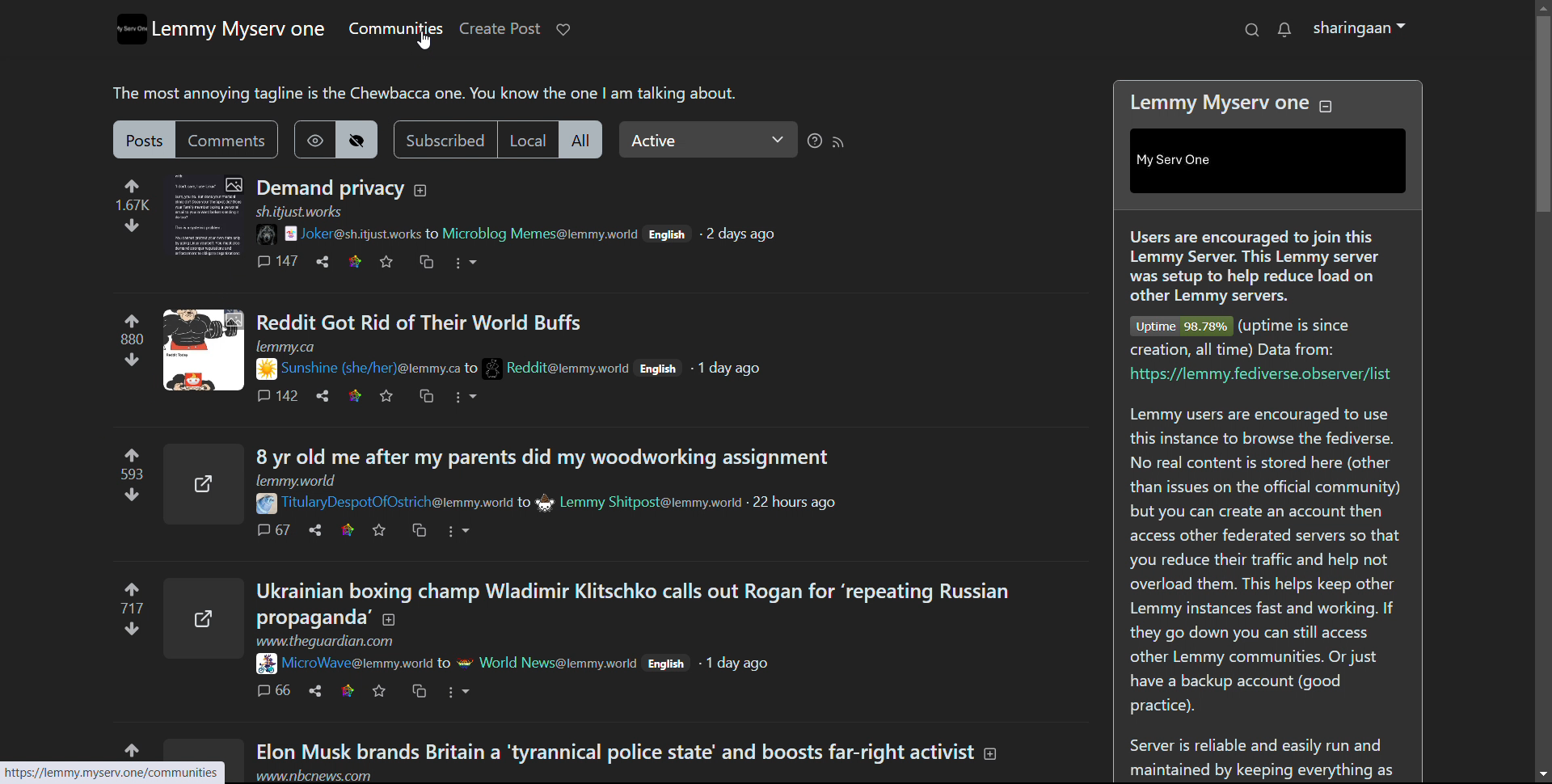 Image resolution: width=1552 pixels, height=784 pixels. I want to click on username, so click(362, 234).